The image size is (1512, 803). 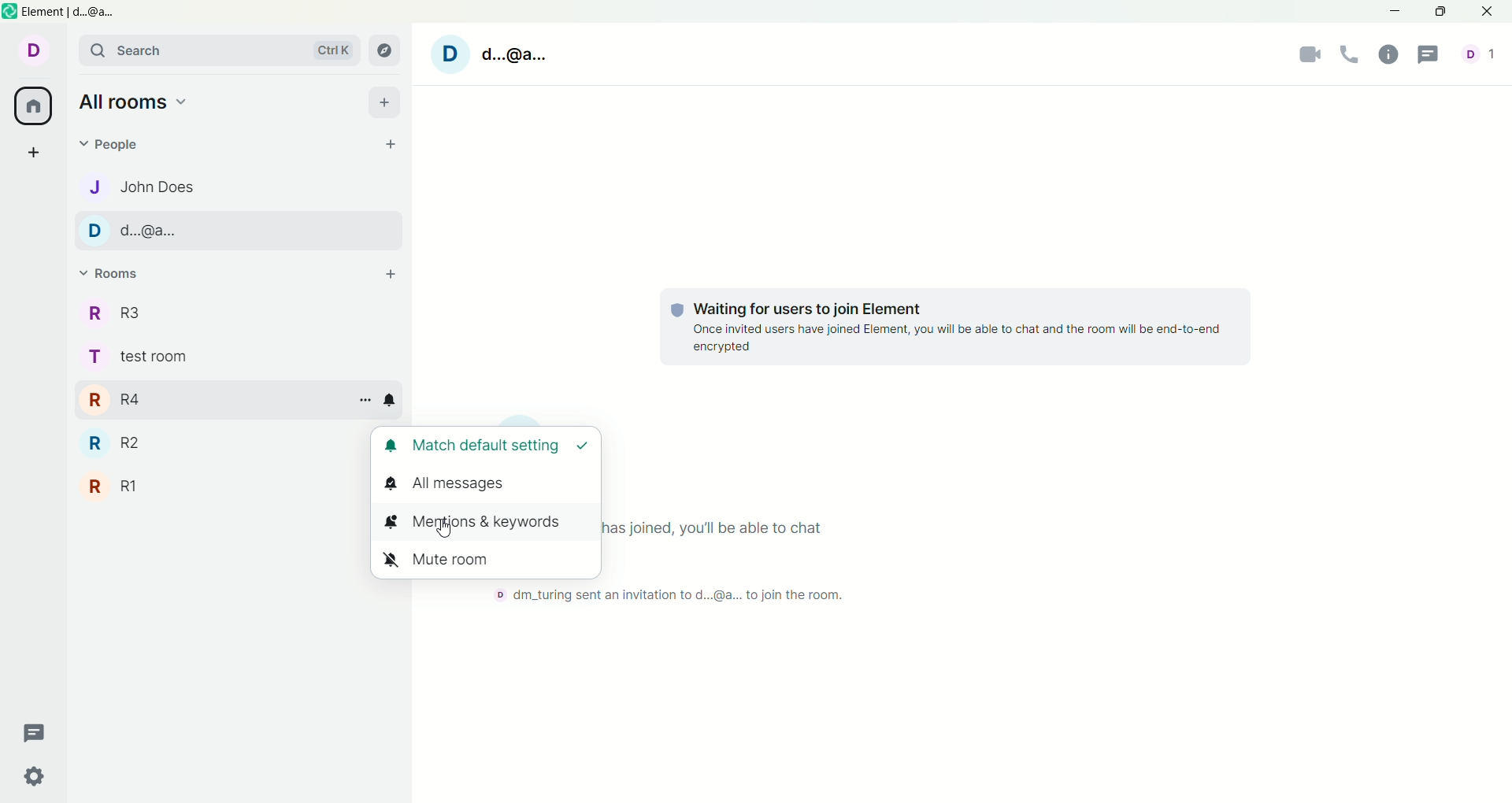 I want to click on Once invited users have joined Element, you will be able to chat and the room will be end-to-end encrypted, so click(x=956, y=339).